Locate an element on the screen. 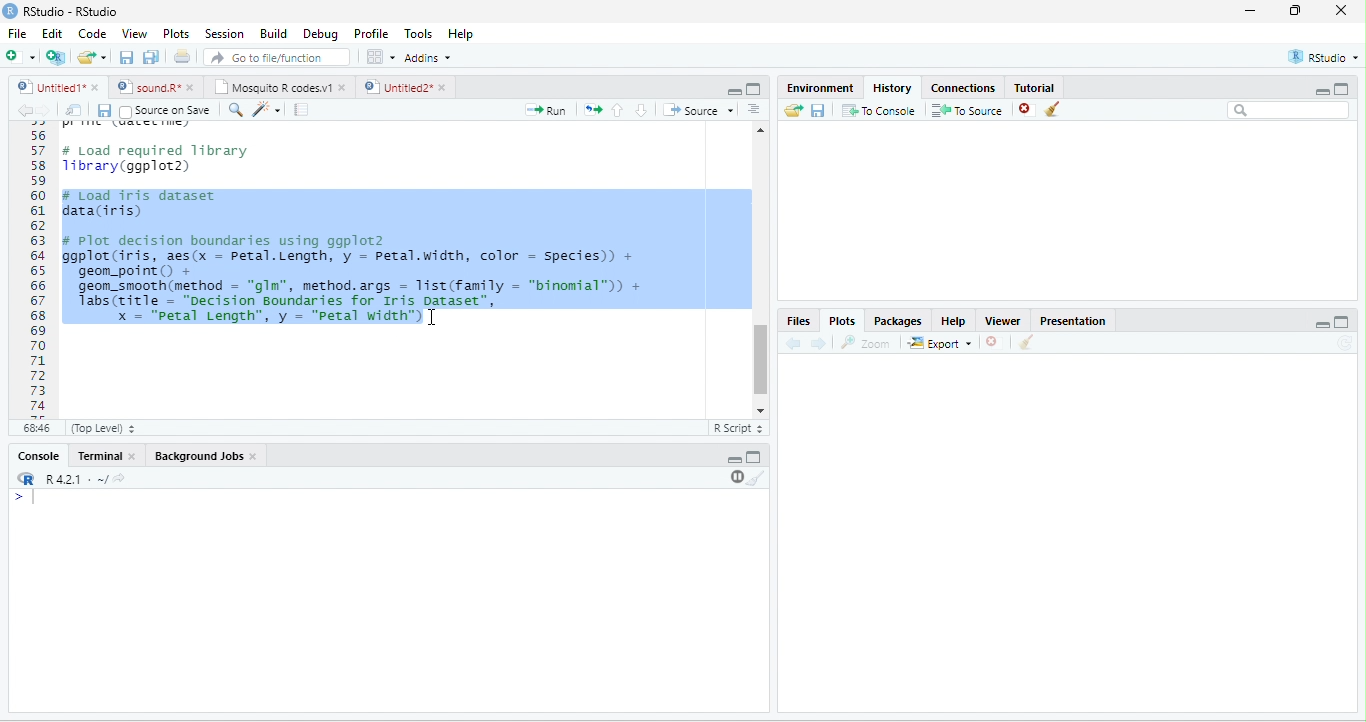 Image resolution: width=1366 pixels, height=722 pixels. search bar is located at coordinates (1289, 109).